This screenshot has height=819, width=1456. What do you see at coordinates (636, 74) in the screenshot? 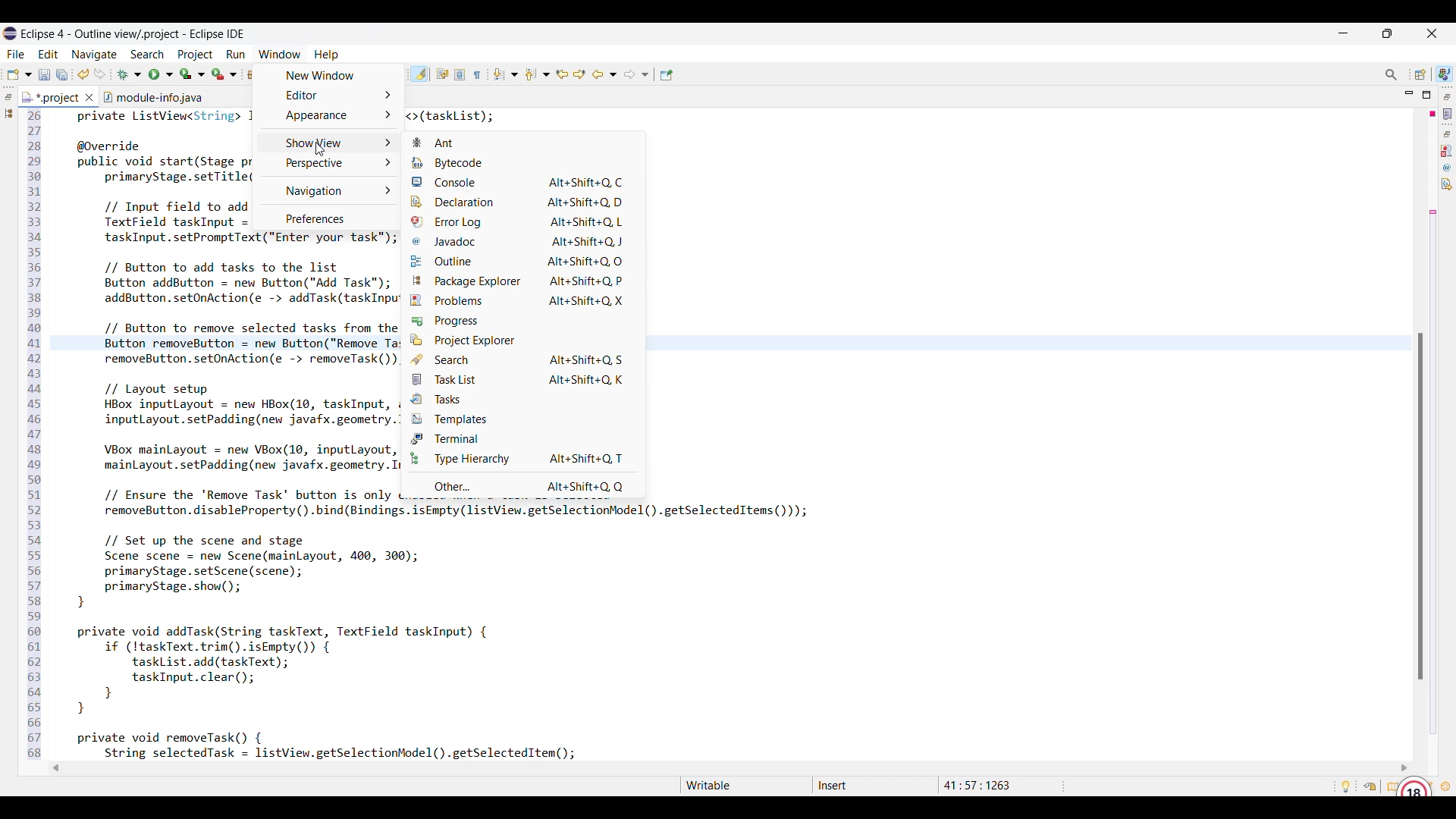
I see `Forward options` at bounding box center [636, 74].